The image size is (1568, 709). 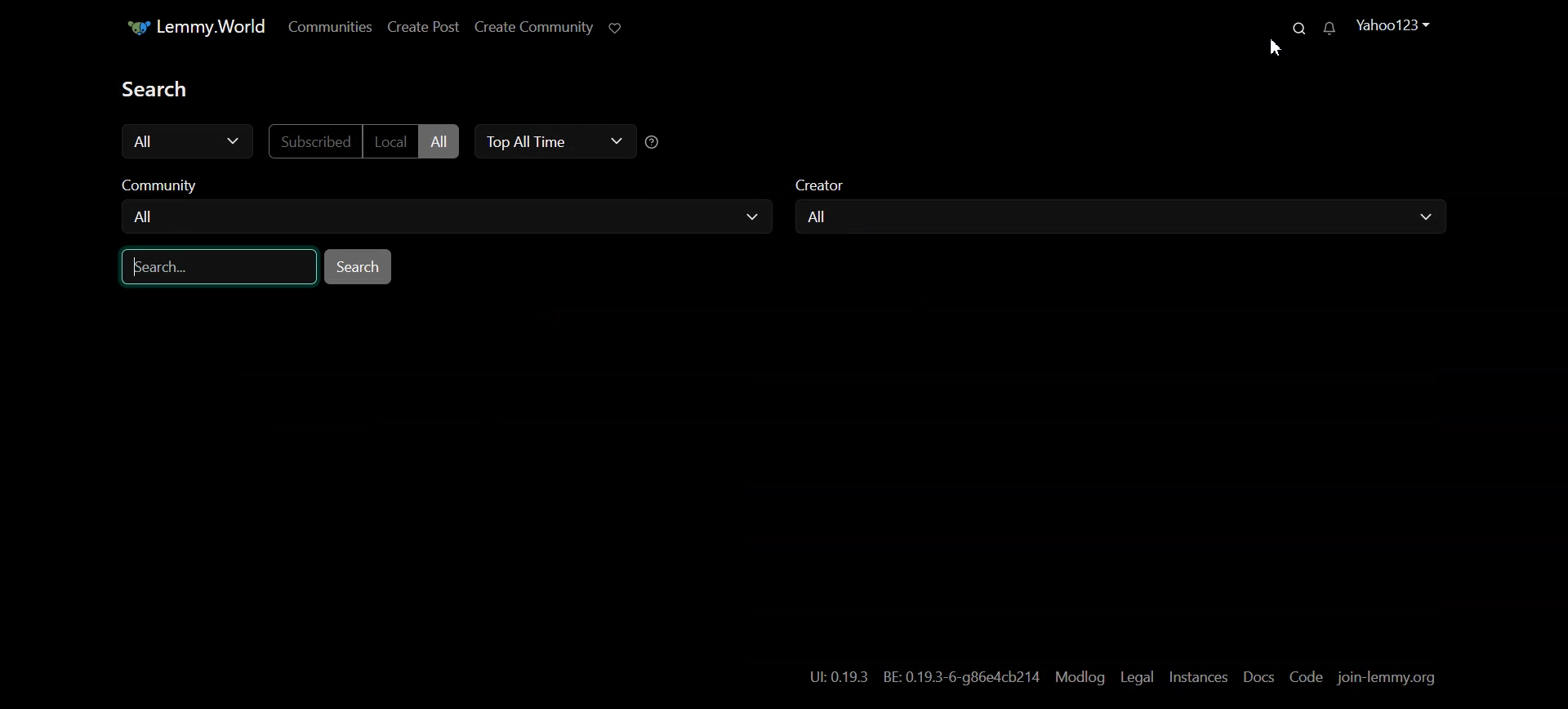 What do you see at coordinates (922, 676) in the screenshot?
I see `UL 0.19.3 BE: 0.19.3-6-g86e4cb214` at bounding box center [922, 676].